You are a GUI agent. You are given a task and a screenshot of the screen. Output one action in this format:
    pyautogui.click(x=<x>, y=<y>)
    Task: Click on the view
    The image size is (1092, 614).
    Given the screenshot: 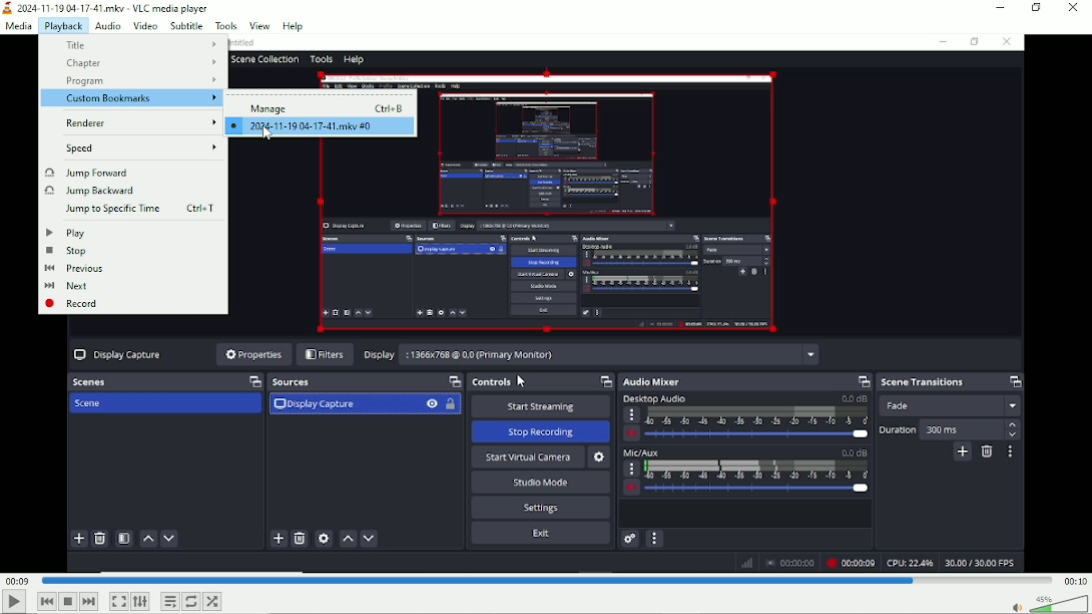 What is the action you would take?
    pyautogui.click(x=260, y=25)
    